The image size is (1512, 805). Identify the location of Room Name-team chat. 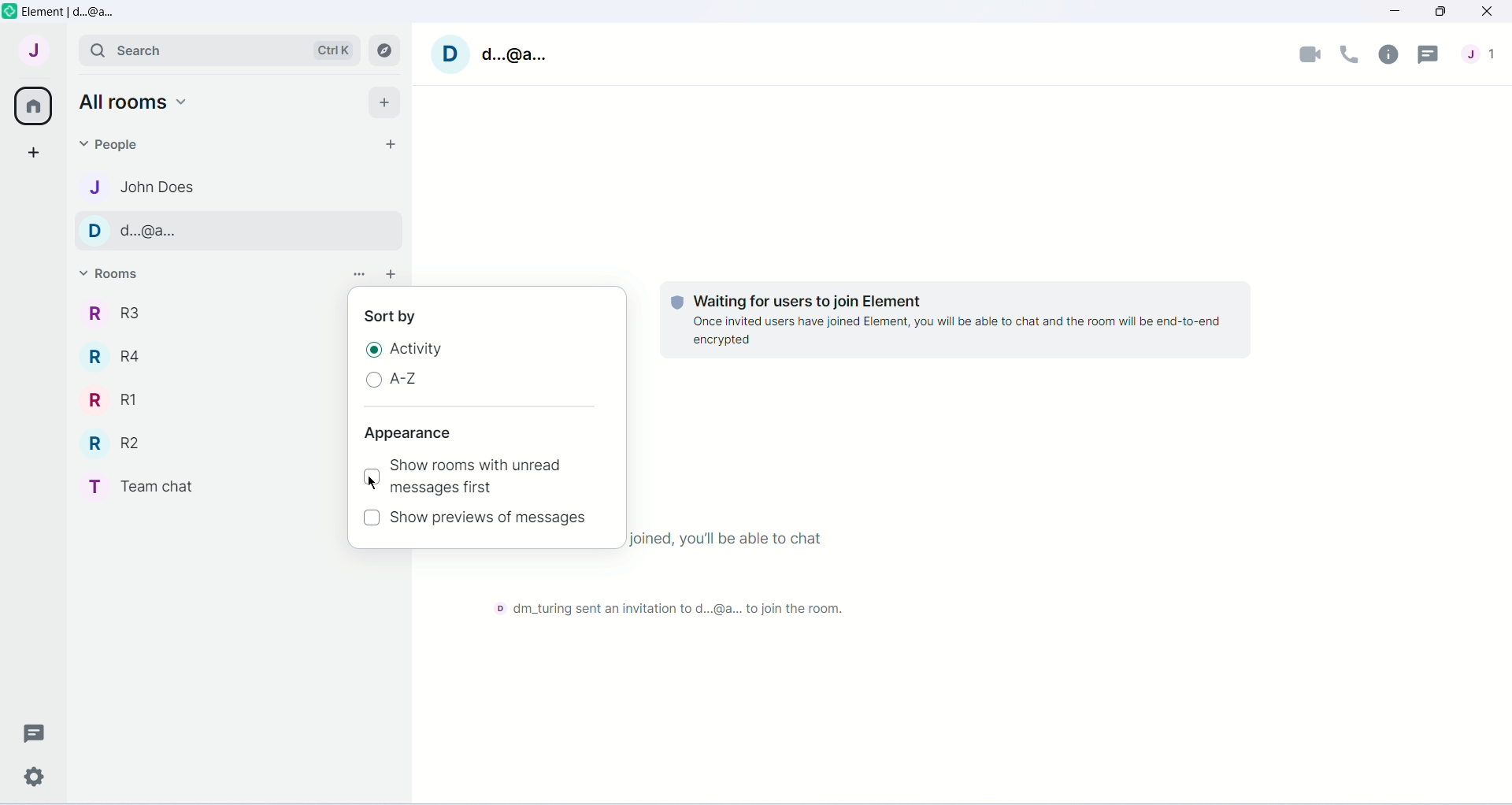
(150, 486).